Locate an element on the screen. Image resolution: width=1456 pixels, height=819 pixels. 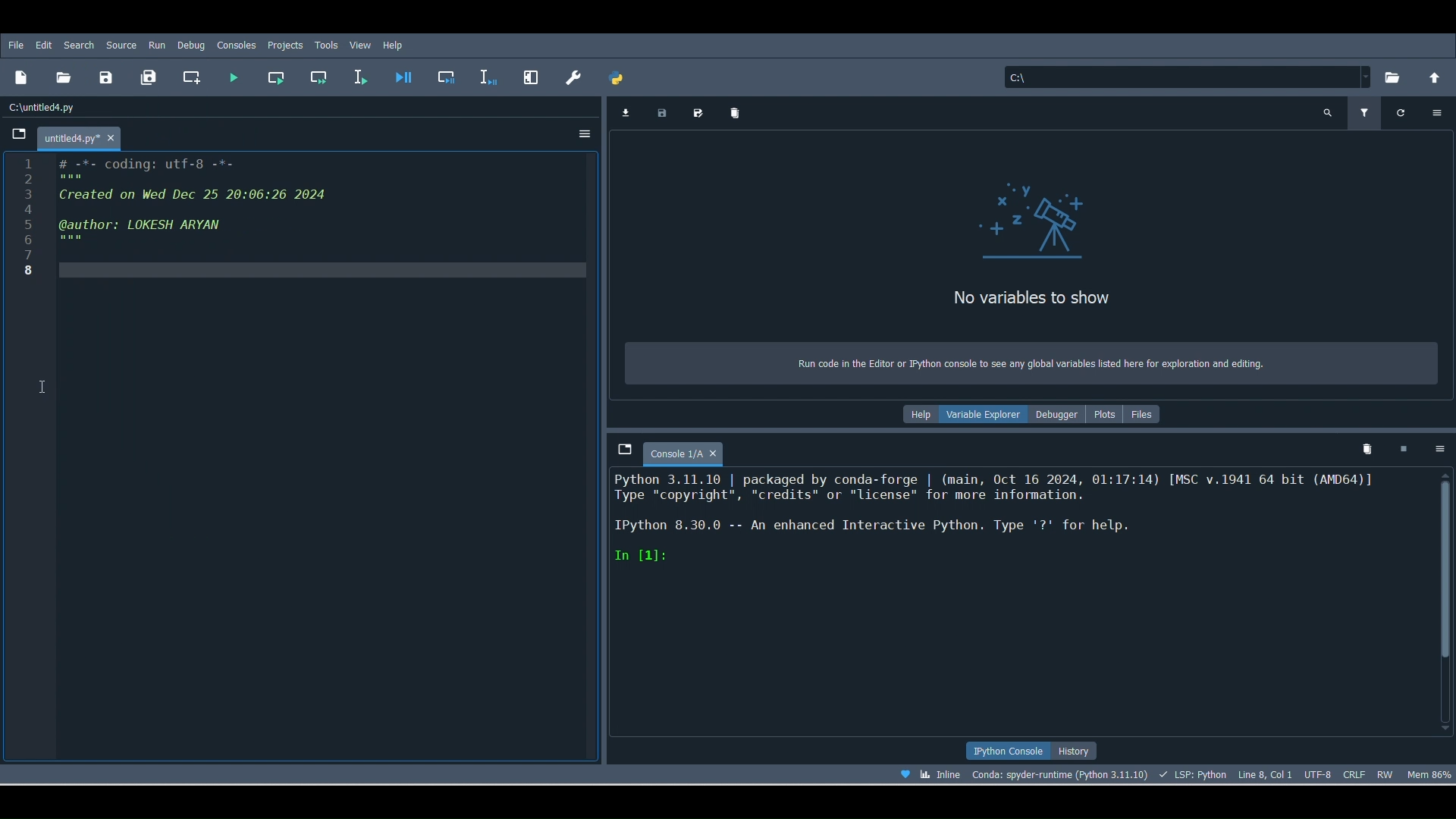
Source is located at coordinates (121, 43).